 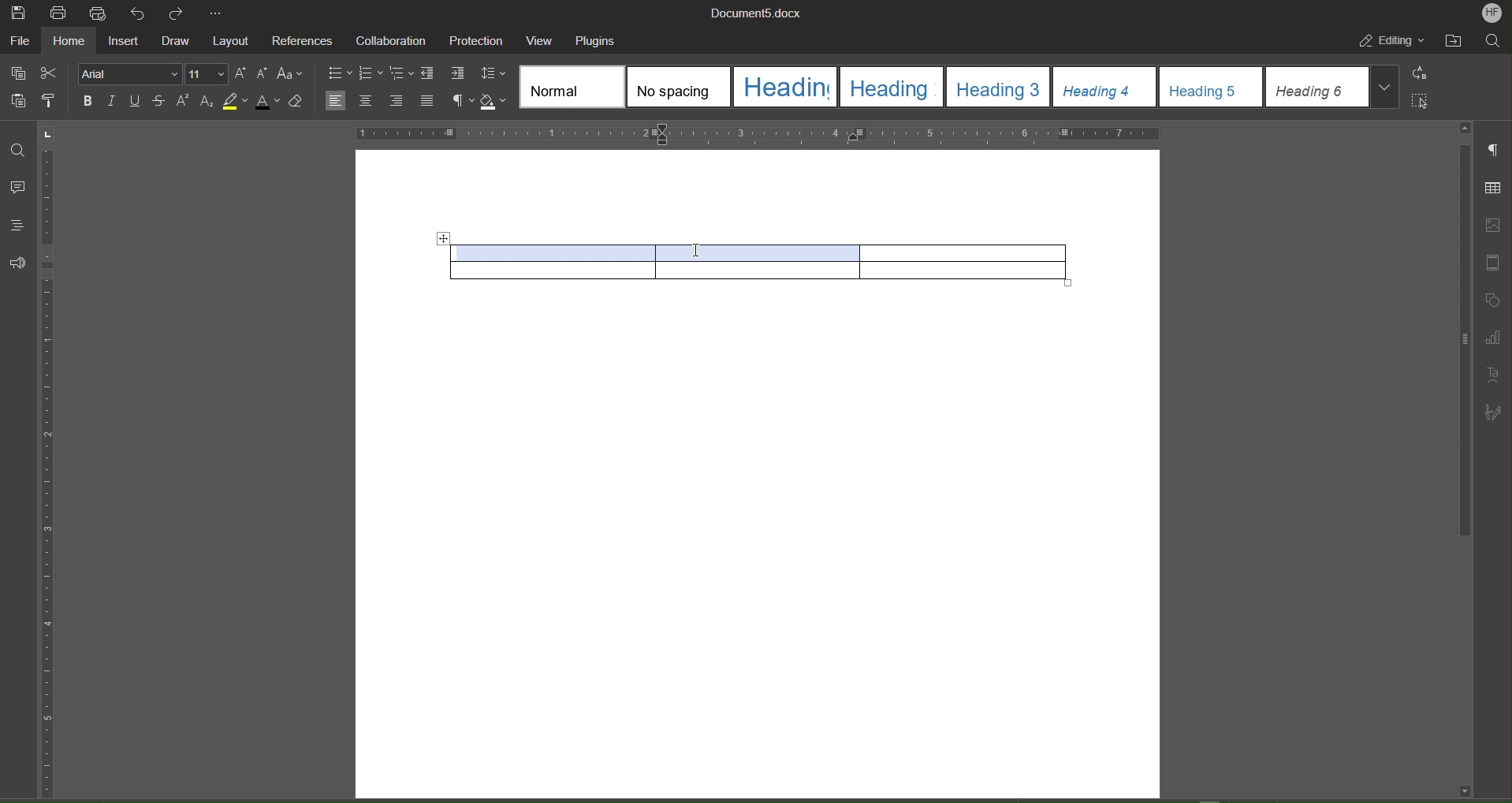 I want to click on Redo, so click(x=182, y=13).